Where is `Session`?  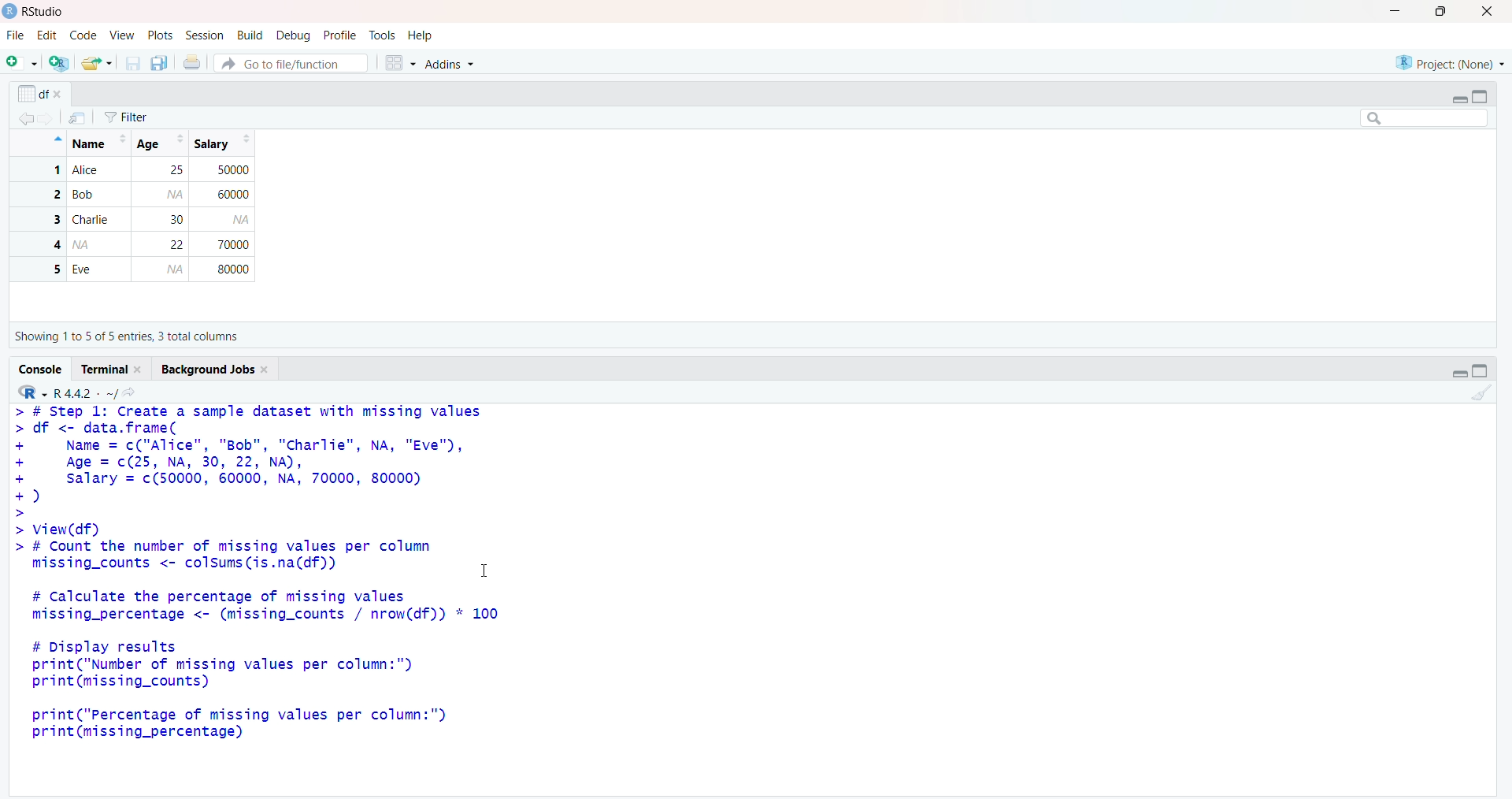 Session is located at coordinates (205, 36).